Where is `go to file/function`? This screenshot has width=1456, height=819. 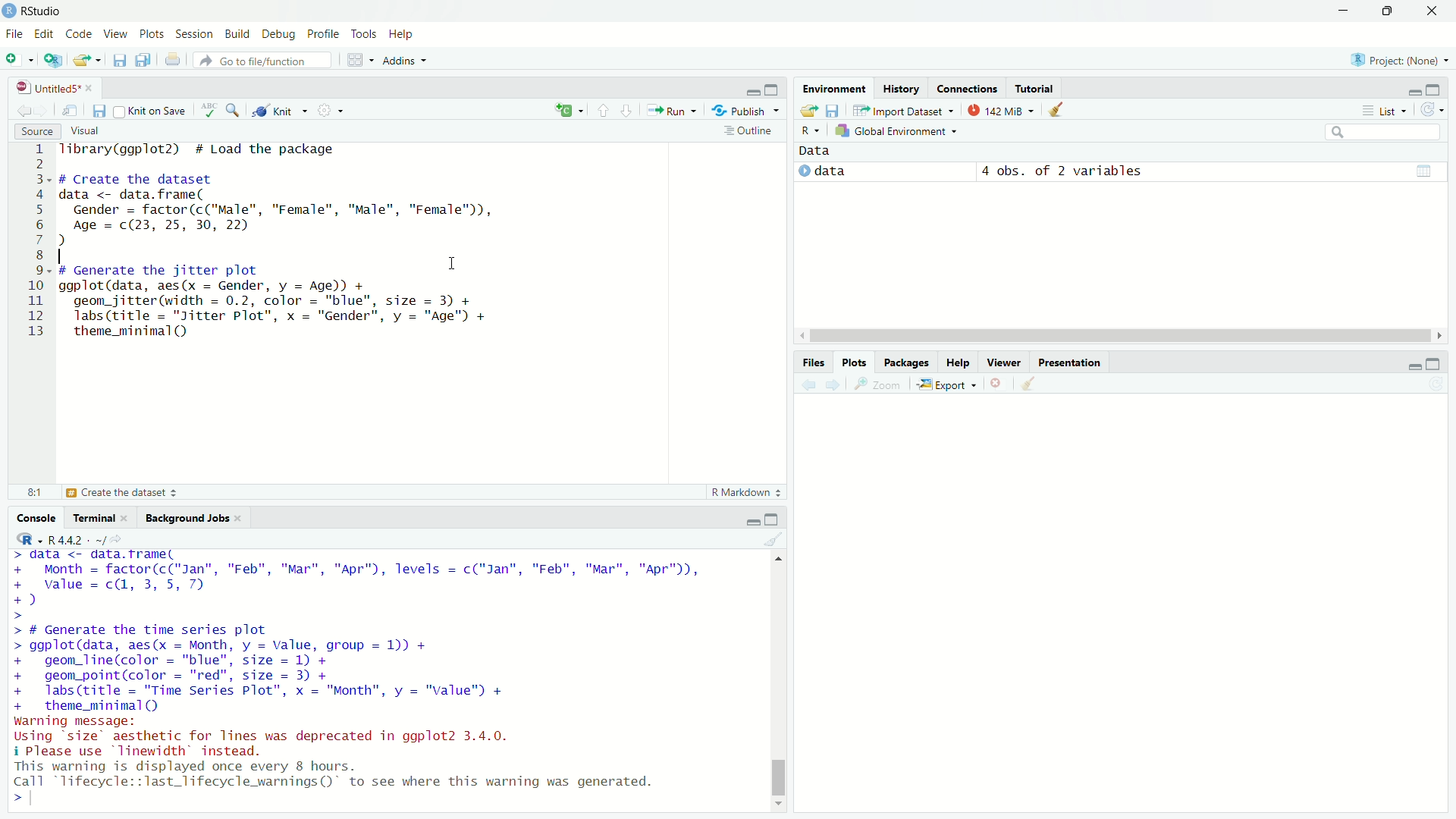
go to file/function is located at coordinates (256, 60).